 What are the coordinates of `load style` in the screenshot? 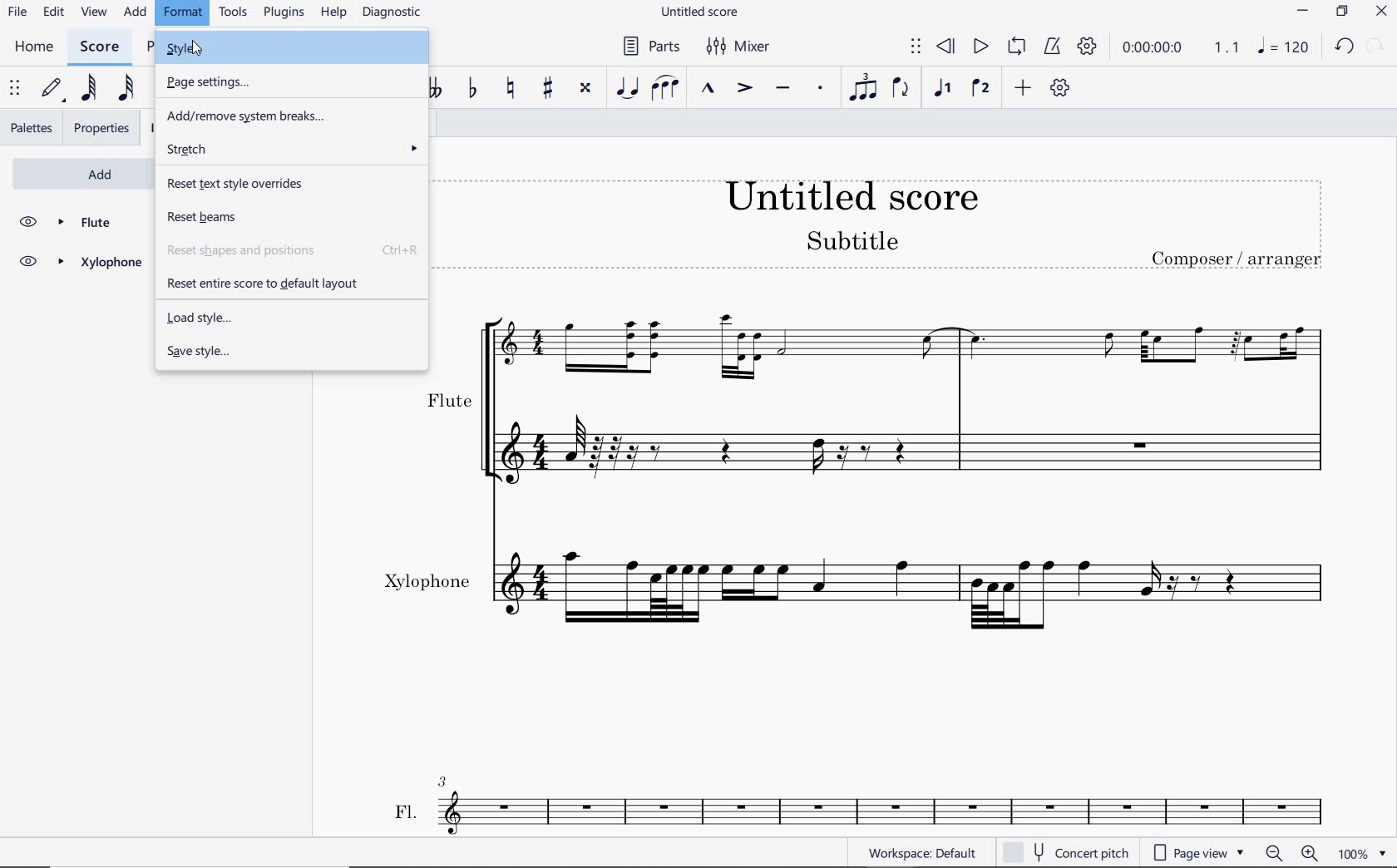 It's located at (293, 318).